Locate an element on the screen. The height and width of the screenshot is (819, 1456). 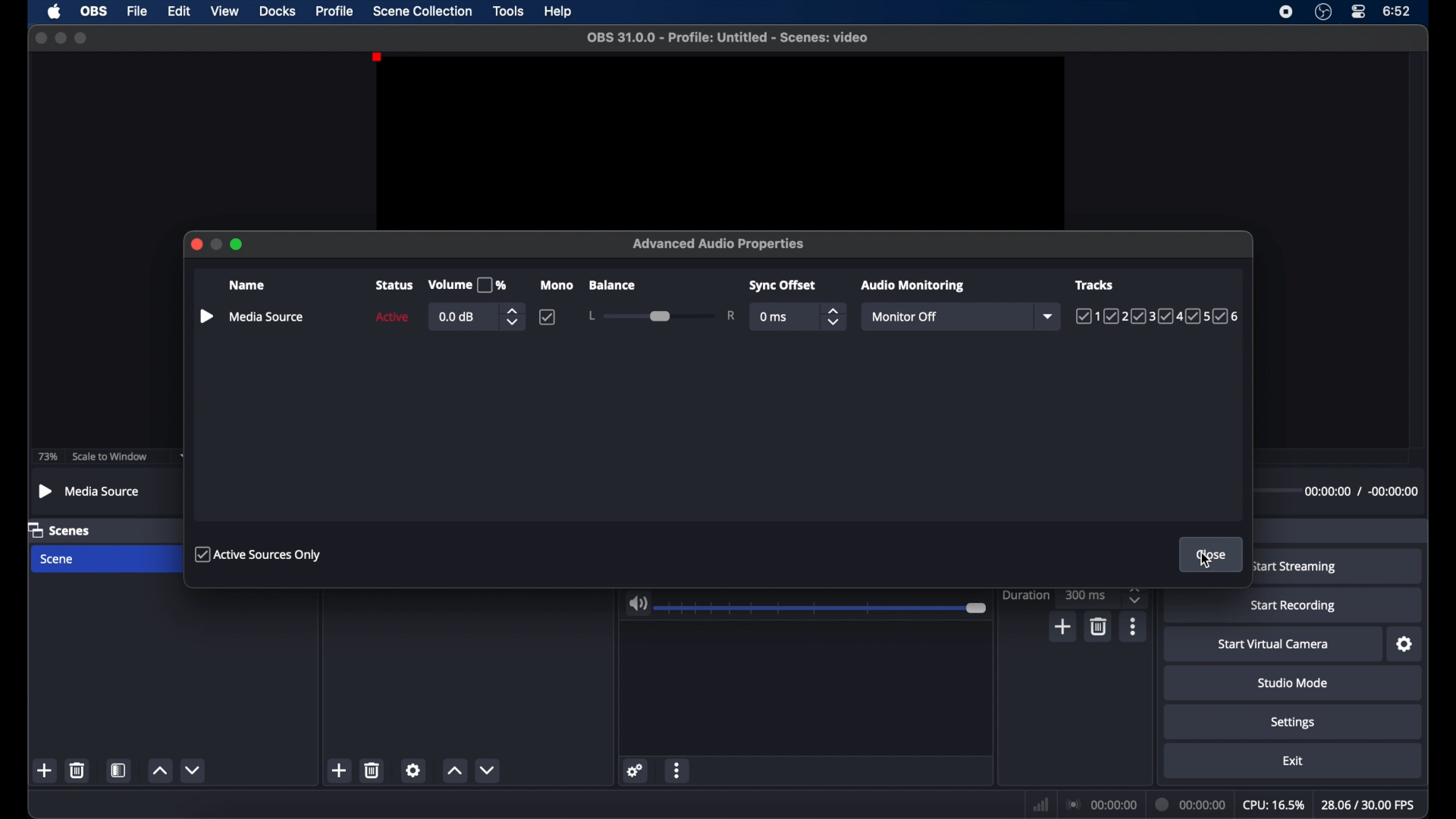
sync offset is located at coordinates (783, 286).